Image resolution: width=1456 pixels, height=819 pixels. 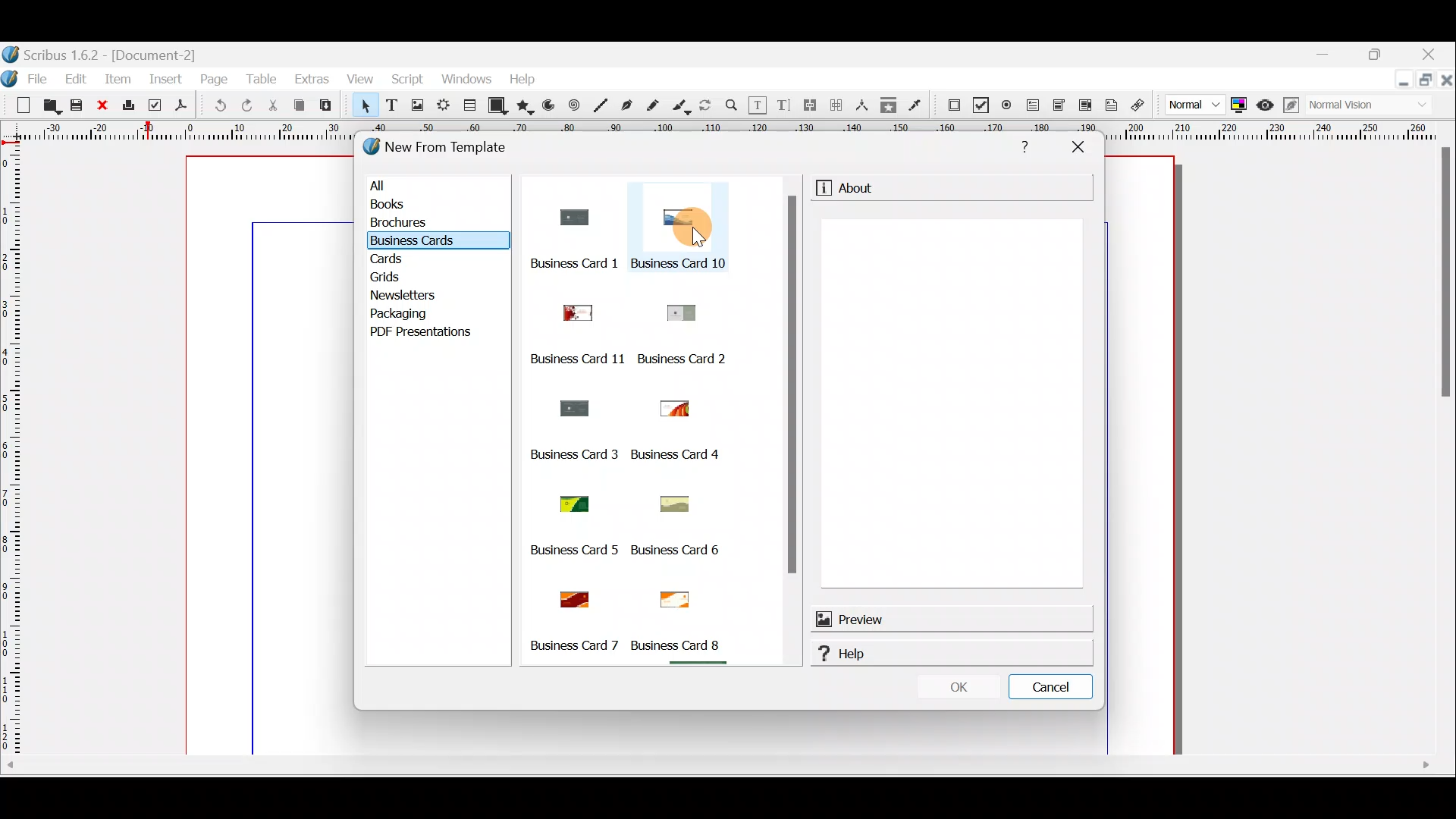 What do you see at coordinates (683, 107) in the screenshot?
I see `Calligraphic line` at bounding box center [683, 107].